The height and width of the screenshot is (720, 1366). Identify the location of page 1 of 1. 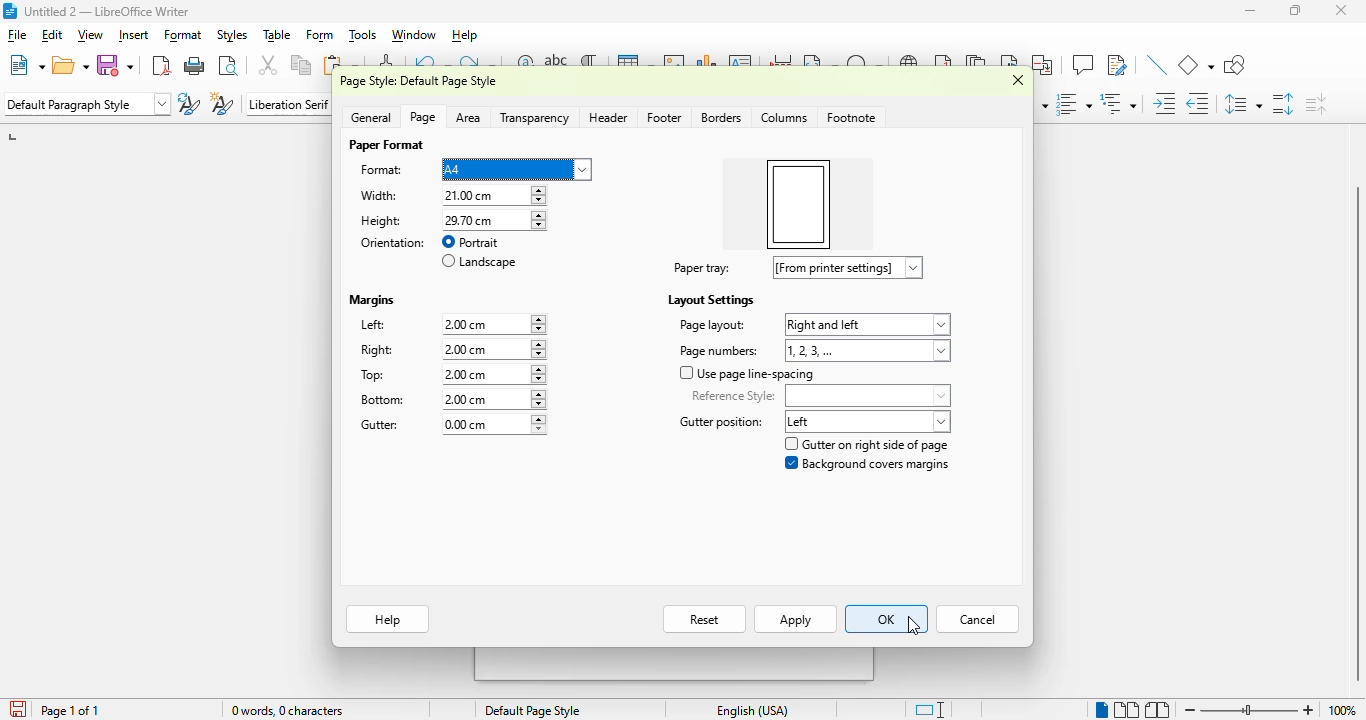
(70, 711).